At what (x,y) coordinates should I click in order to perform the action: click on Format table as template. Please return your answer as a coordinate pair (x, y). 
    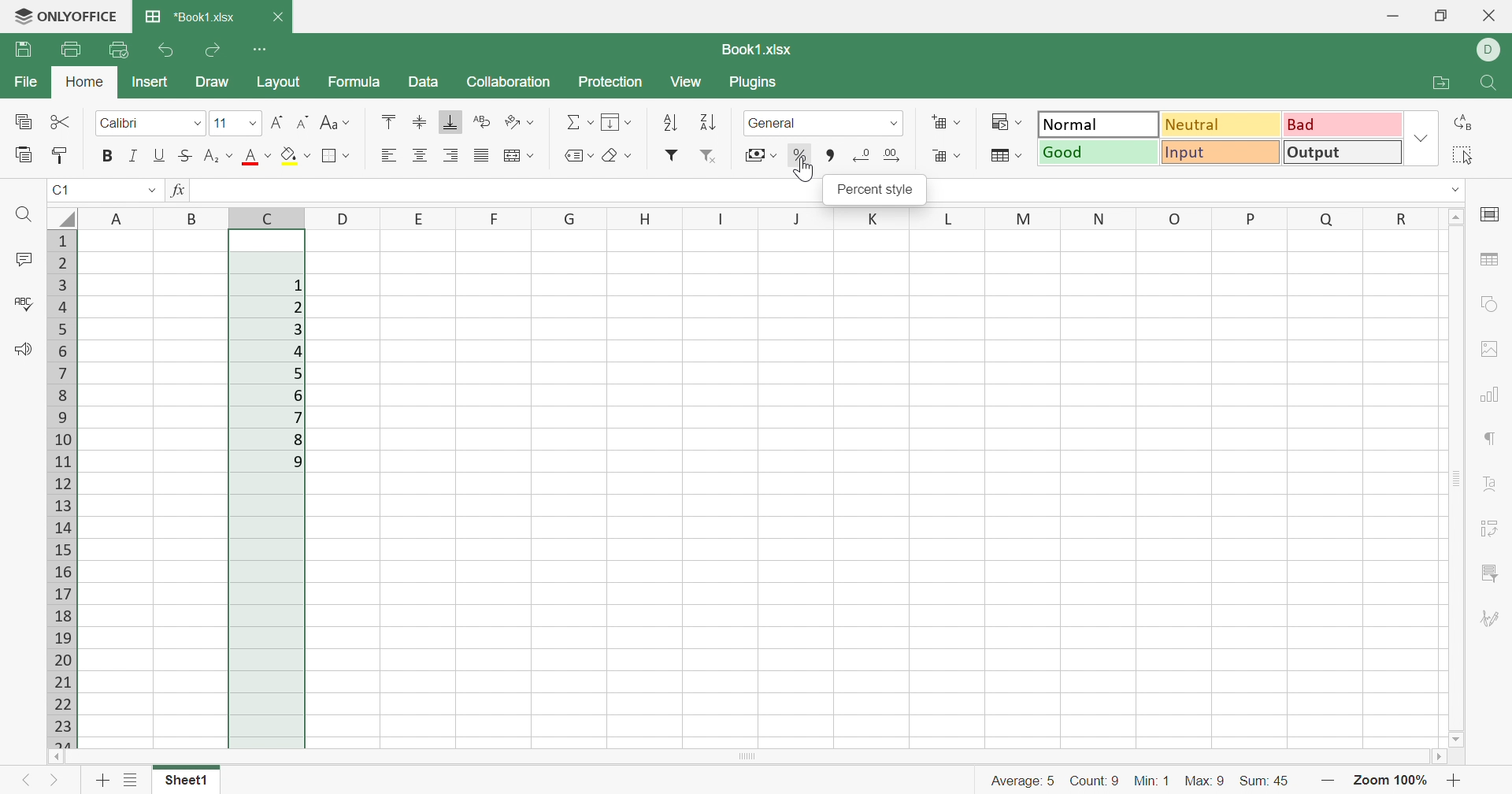
    Looking at the image, I should click on (1006, 158).